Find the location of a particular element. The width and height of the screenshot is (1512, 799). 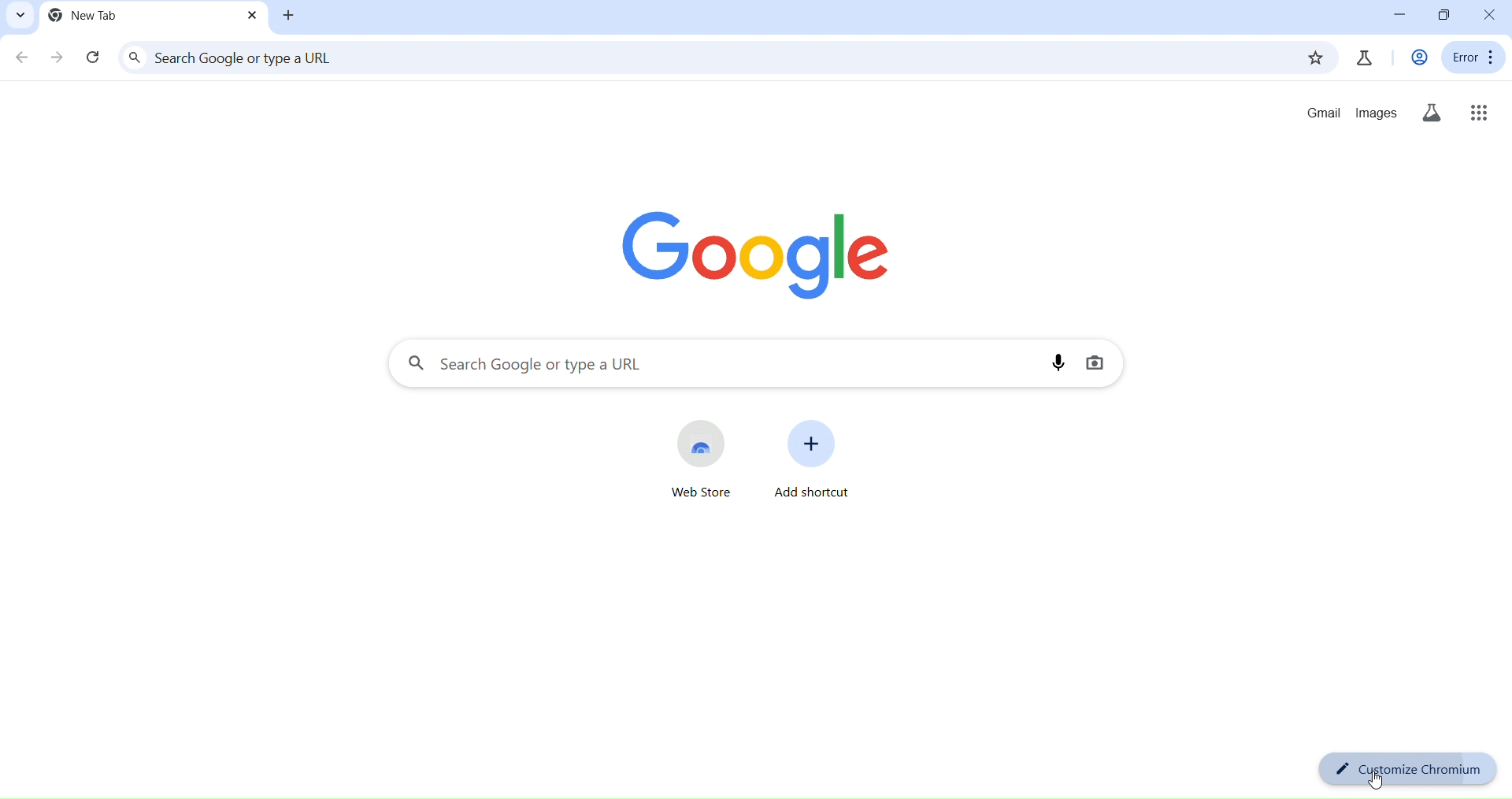

image search is located at coordinates (1096, 362).